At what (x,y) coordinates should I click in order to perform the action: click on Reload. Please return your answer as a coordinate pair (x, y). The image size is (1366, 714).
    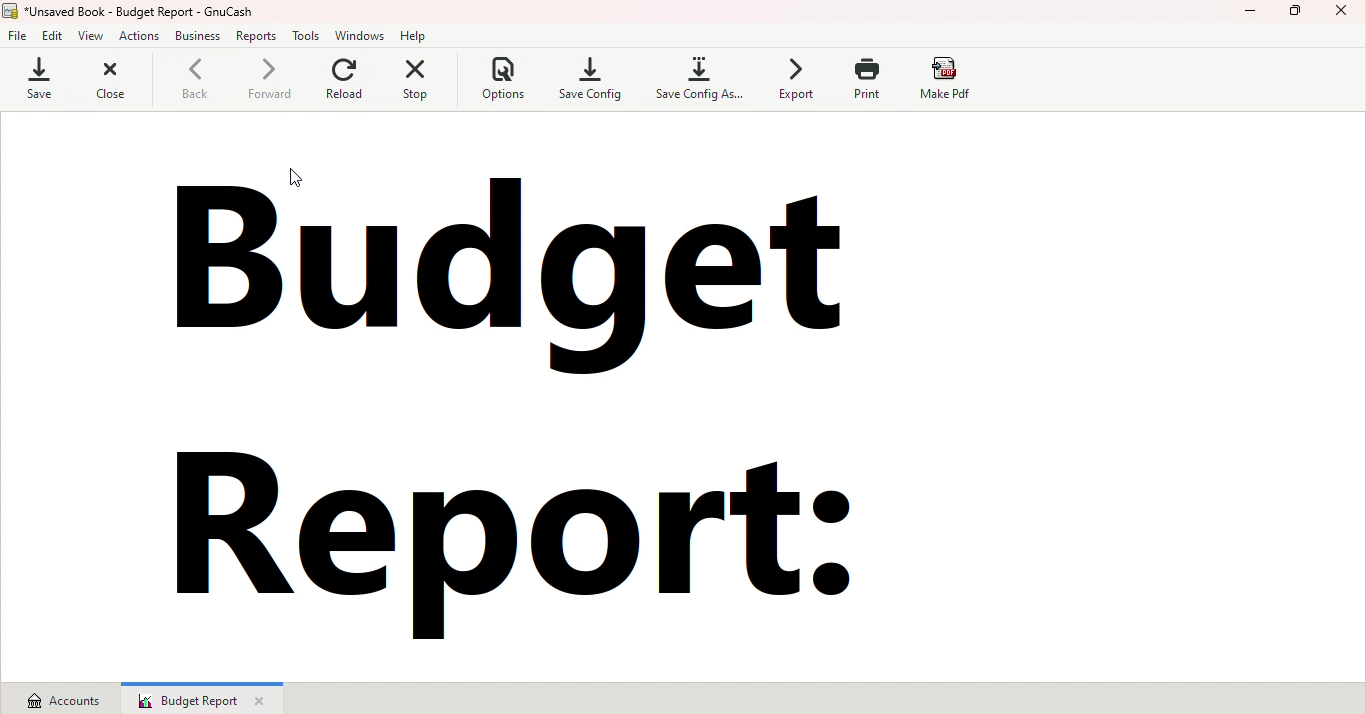
    Looking at the image, I should click on (343, 81).